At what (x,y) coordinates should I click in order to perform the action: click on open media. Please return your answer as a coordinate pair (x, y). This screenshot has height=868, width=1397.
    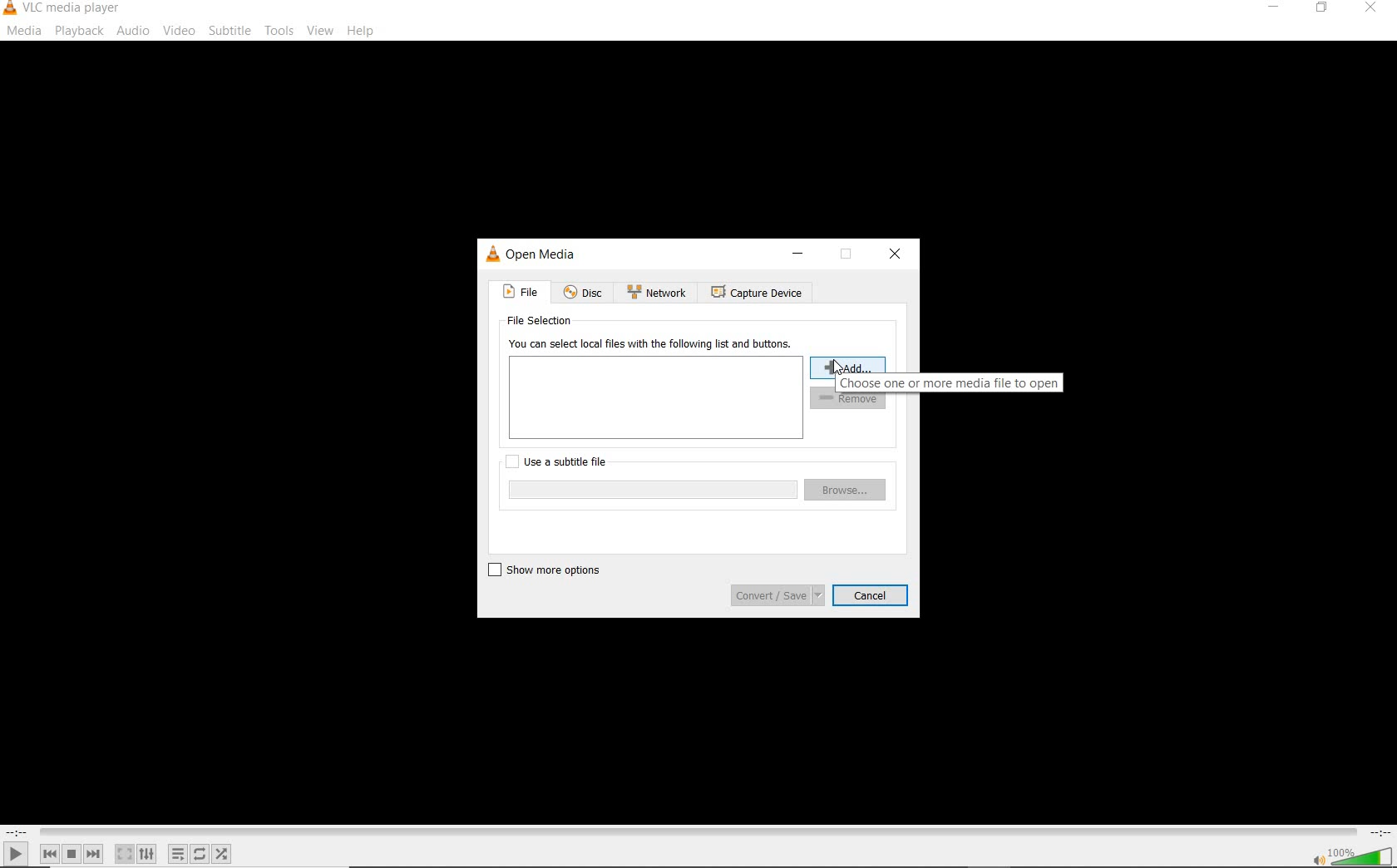
    Looking at the image, I should click on (532, 254).